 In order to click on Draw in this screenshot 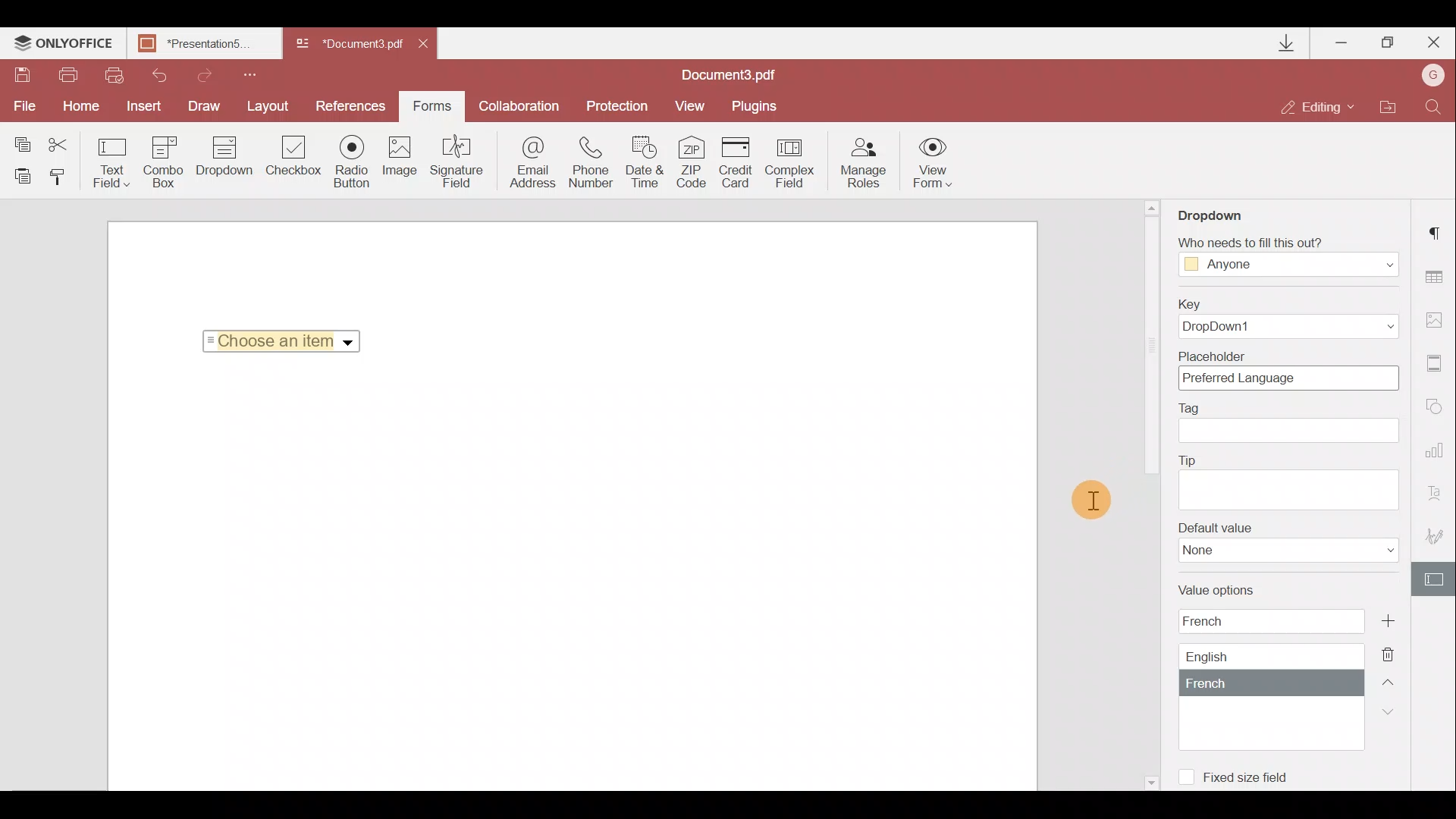, I will do `click(205, 105)`.